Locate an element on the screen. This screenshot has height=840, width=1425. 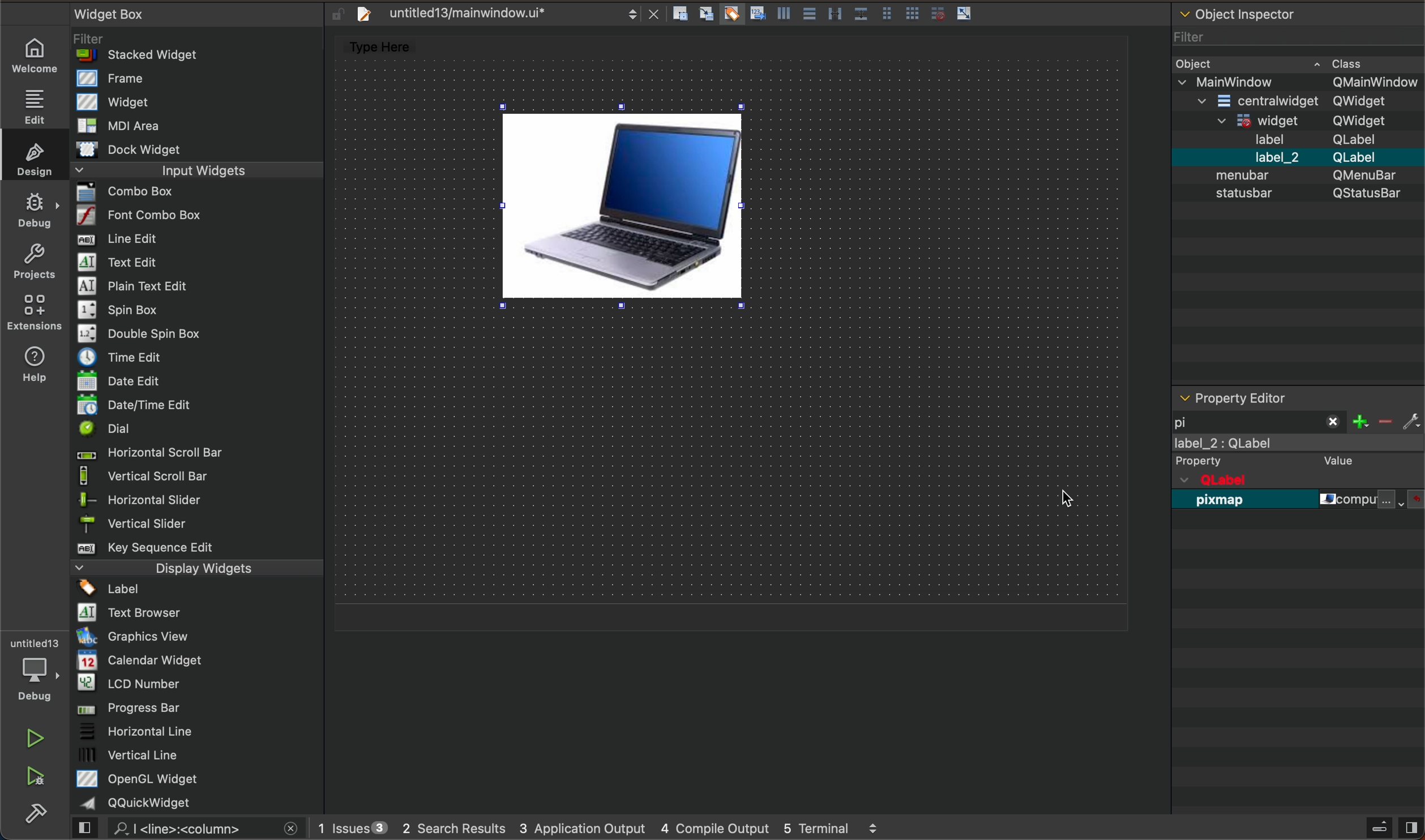
filter is located at coordinates (1389, 419).